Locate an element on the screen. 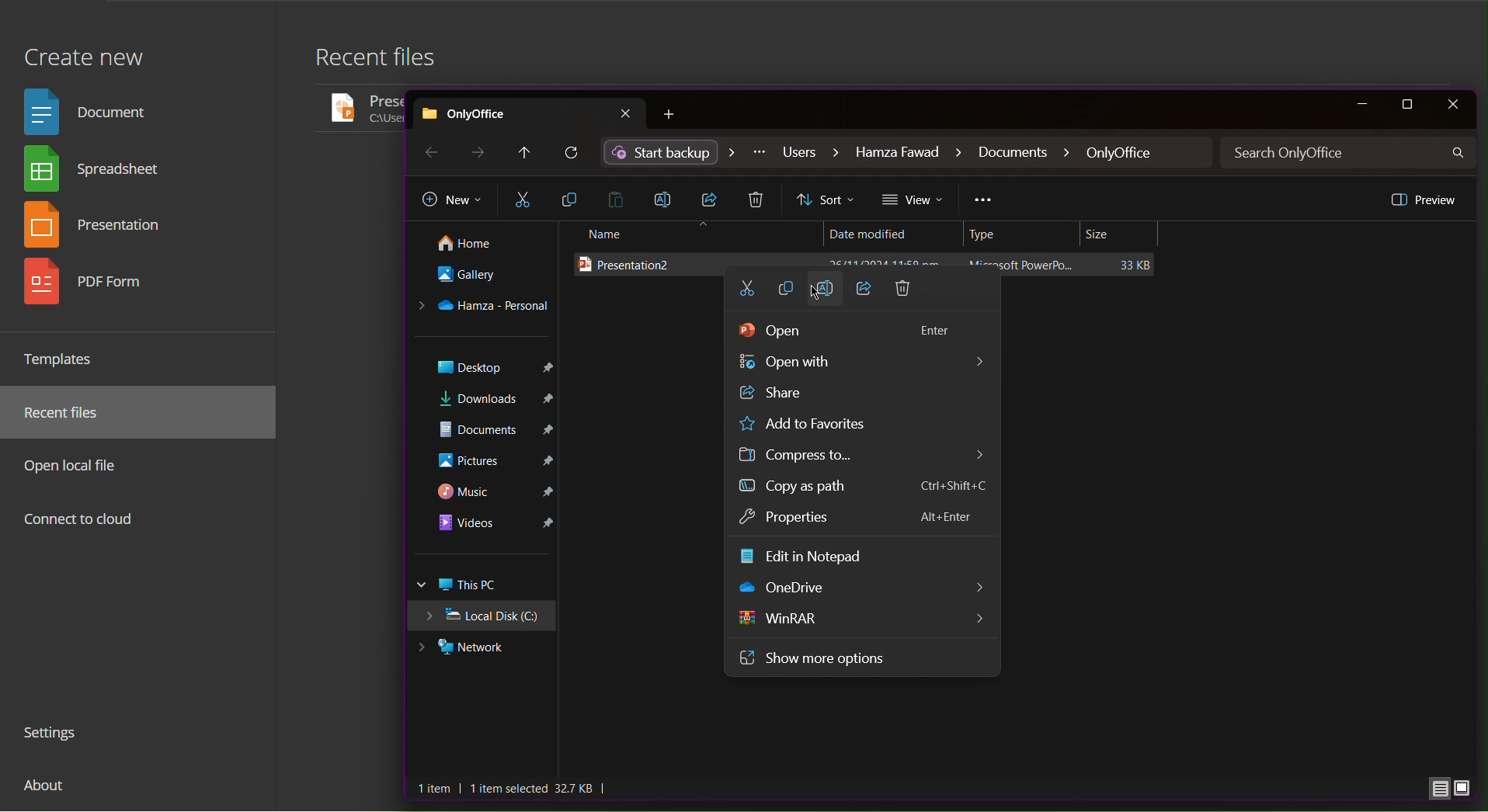 The height and width of the screenshot is (812, 1488). Share is located at coordinates (865, 297).